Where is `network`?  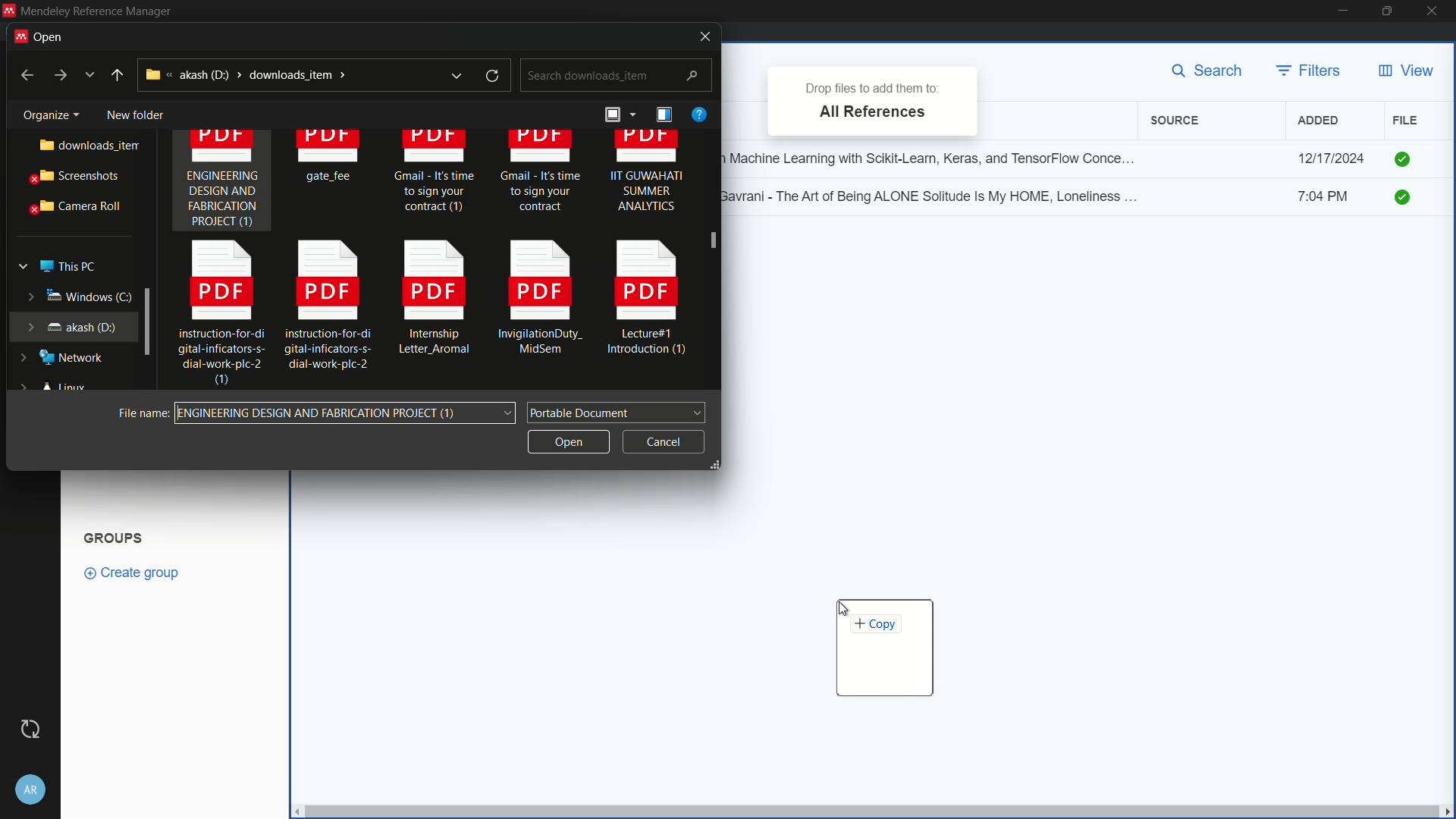 network is located at coordinates (64, 358).